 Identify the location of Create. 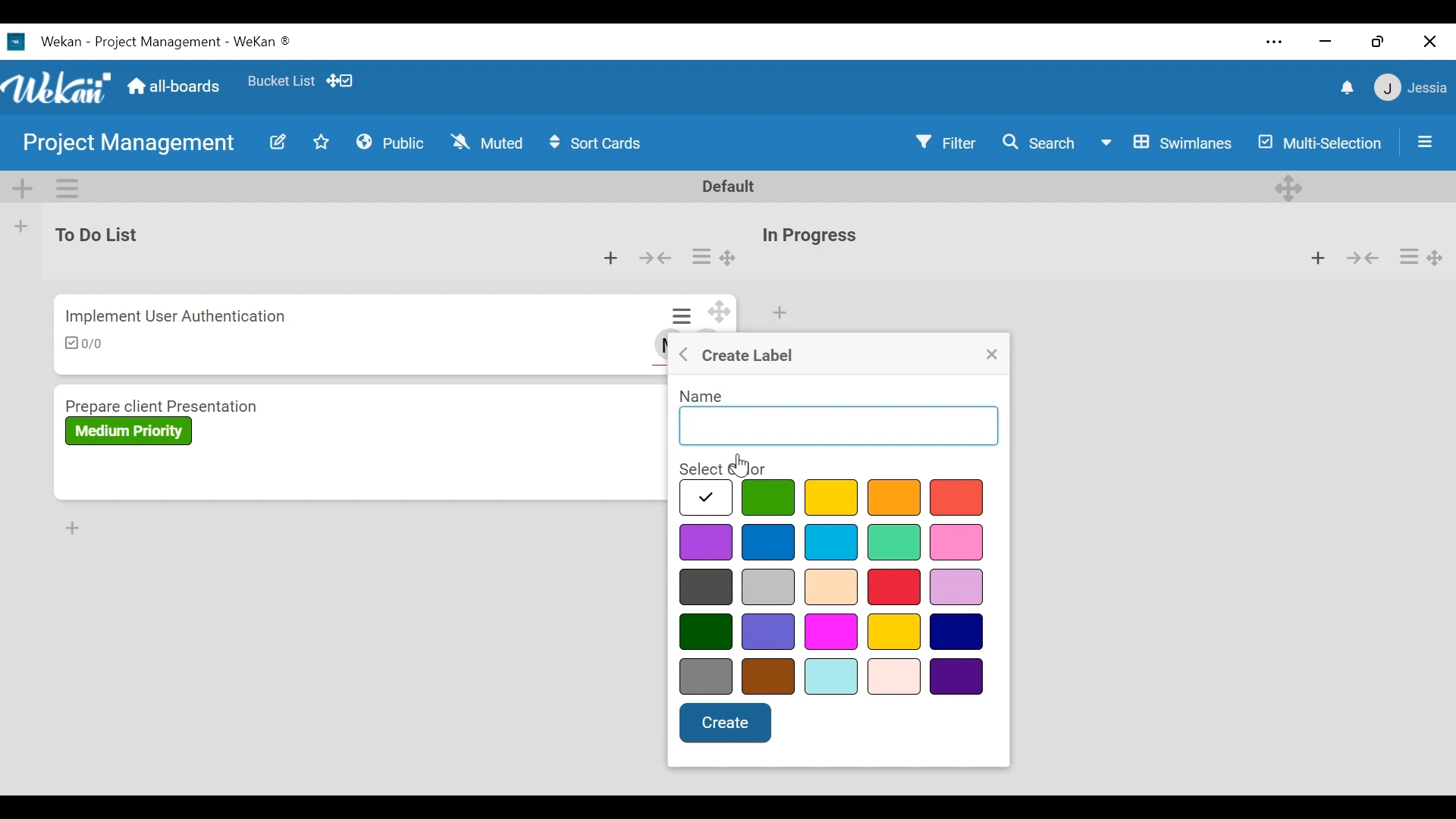
(726, 721).